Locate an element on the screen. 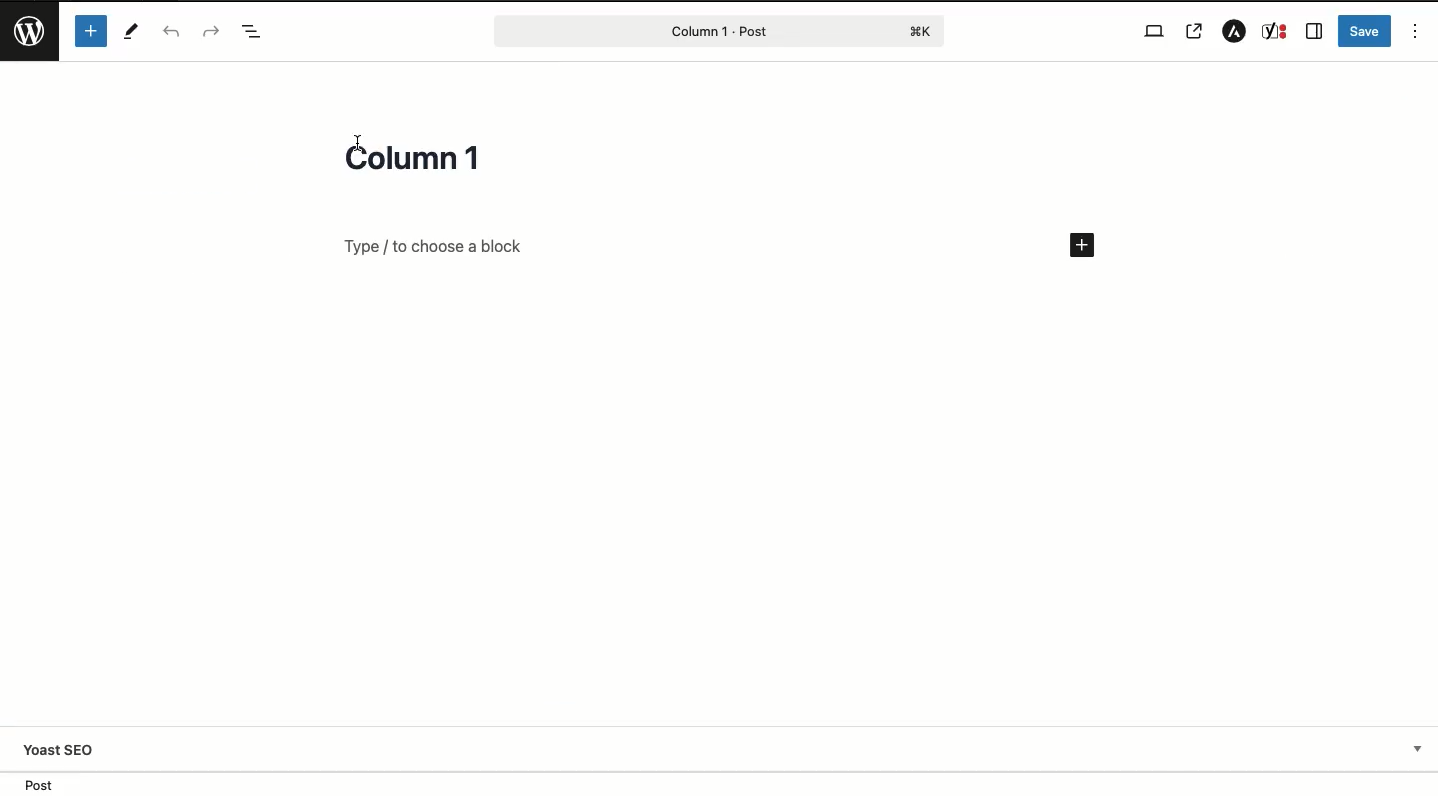 The image size is (1438, 796). Title is located at coordinates (421, 155).